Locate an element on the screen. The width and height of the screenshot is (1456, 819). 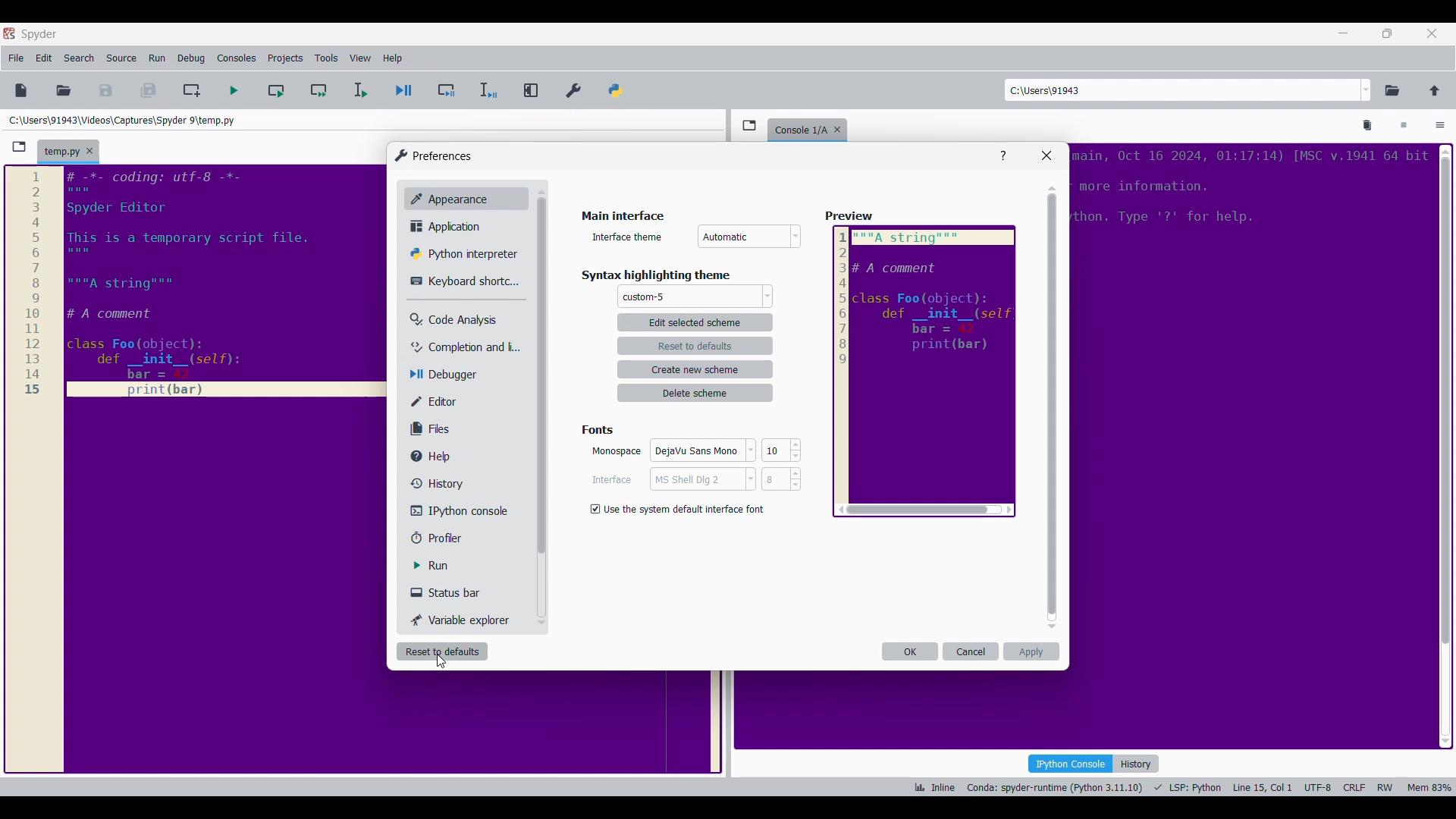
File menu is located at coordinates (16, 58).